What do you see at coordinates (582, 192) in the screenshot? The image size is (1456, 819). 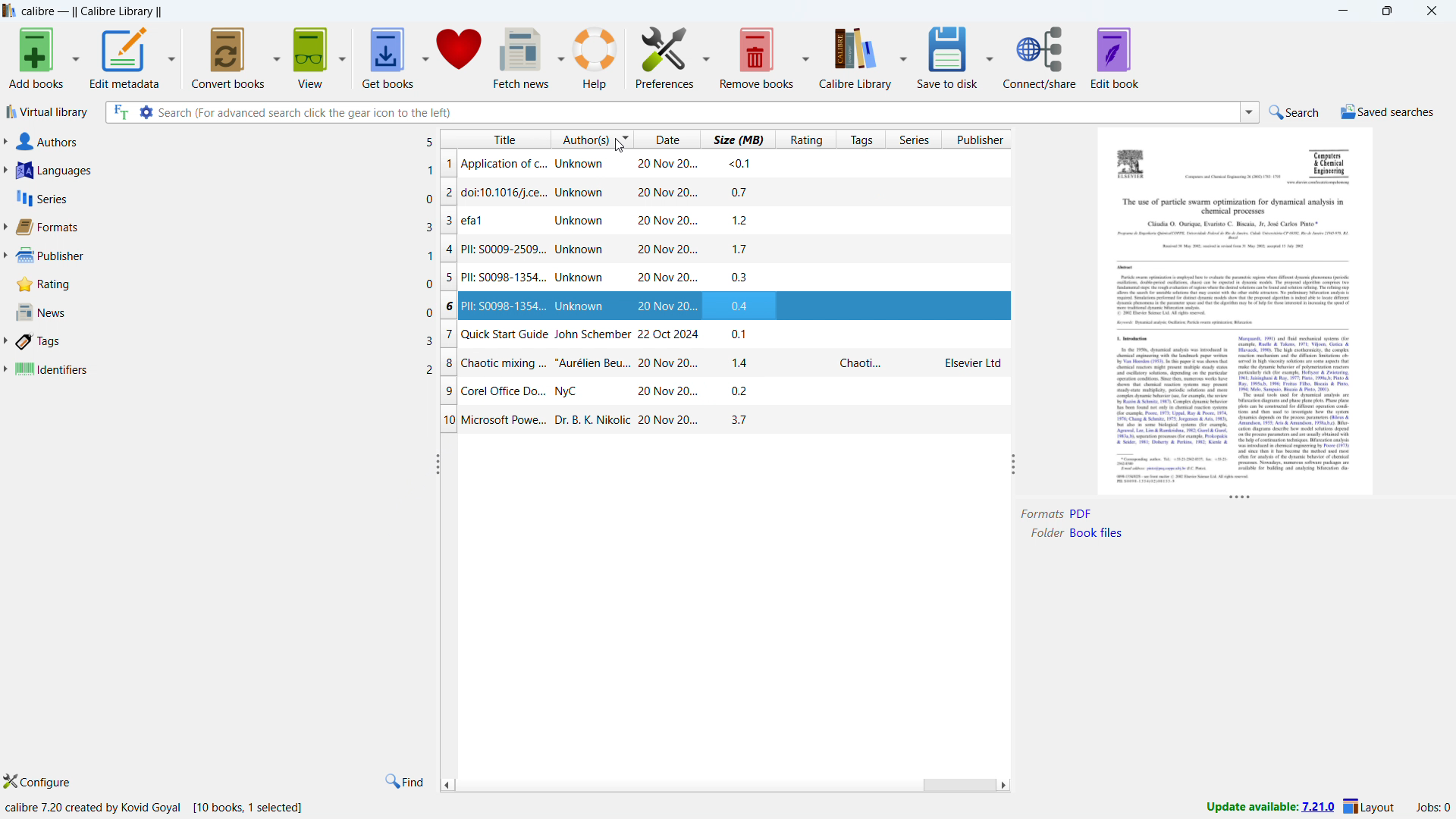 I see `doi:10.1016/j.ce... Unknown 20 Nov 20...` at bounding box center [582, 192].